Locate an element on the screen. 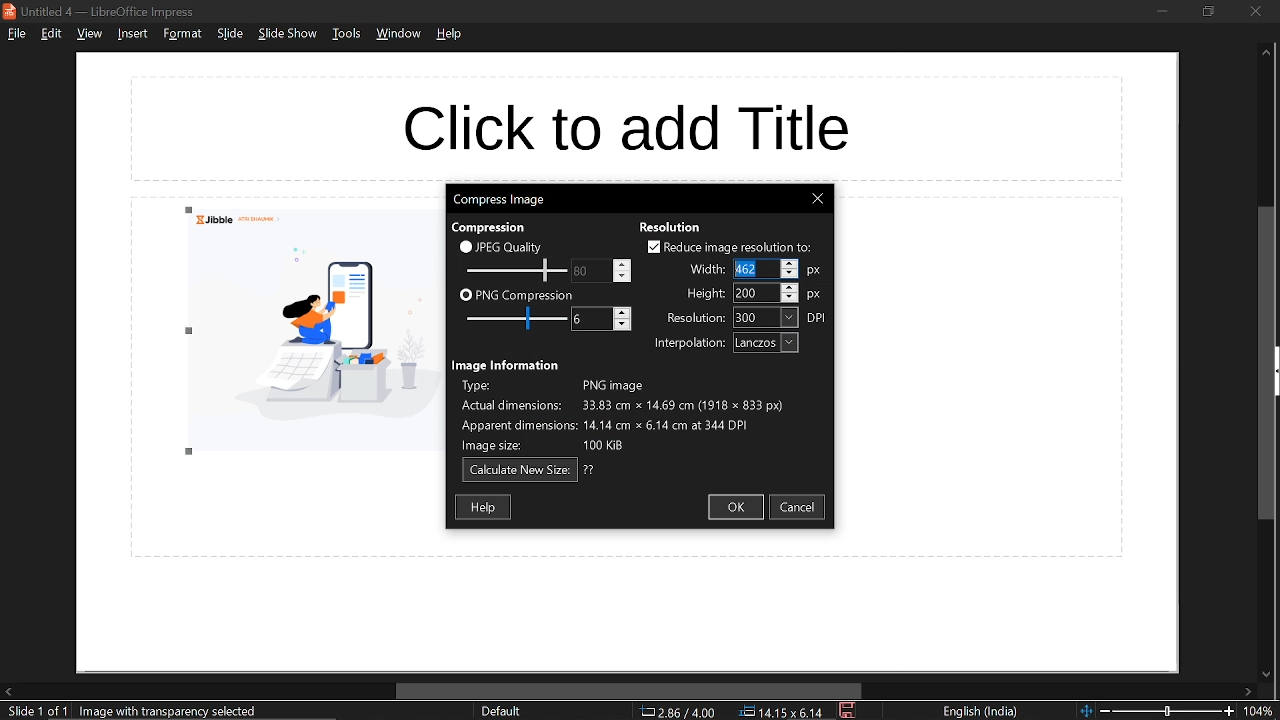  insert is located at coordinates (130, 33).